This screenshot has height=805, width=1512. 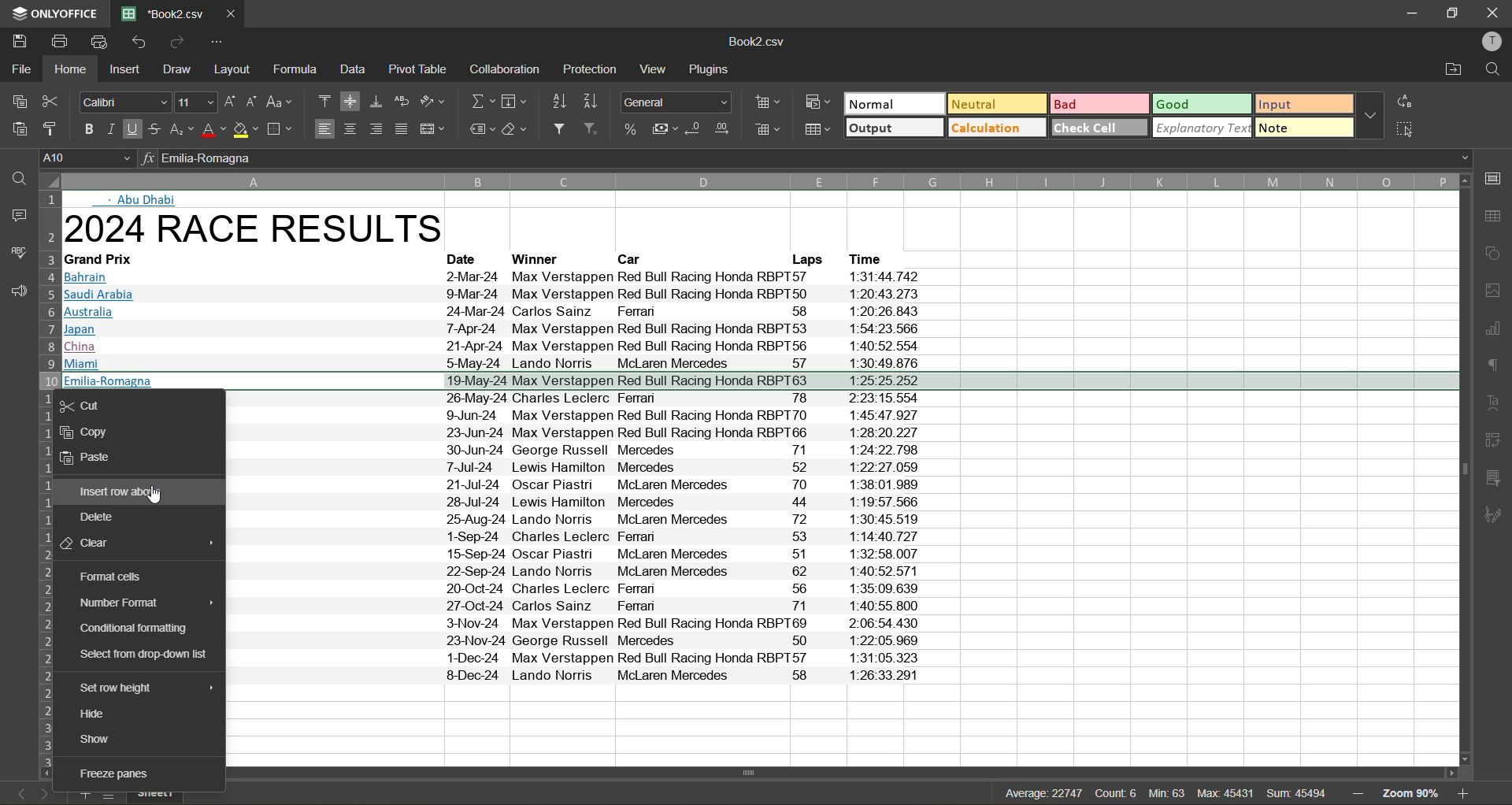 What do you see at coordinates (1466, 794) in the screenshot?
I see `zoom in` at bounding box center [1466, 794].